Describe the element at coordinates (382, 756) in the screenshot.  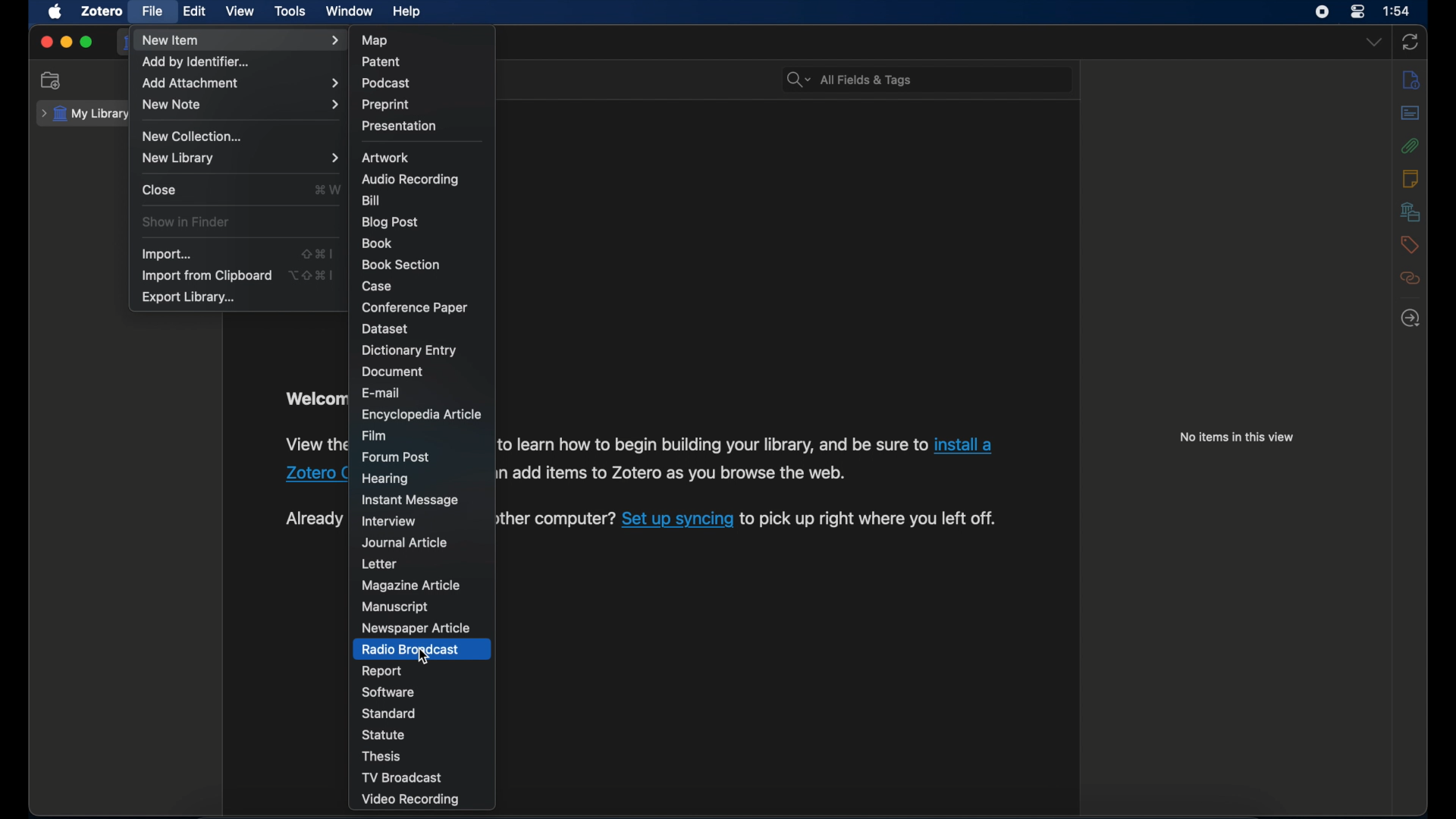
I see `thesis` at that location.